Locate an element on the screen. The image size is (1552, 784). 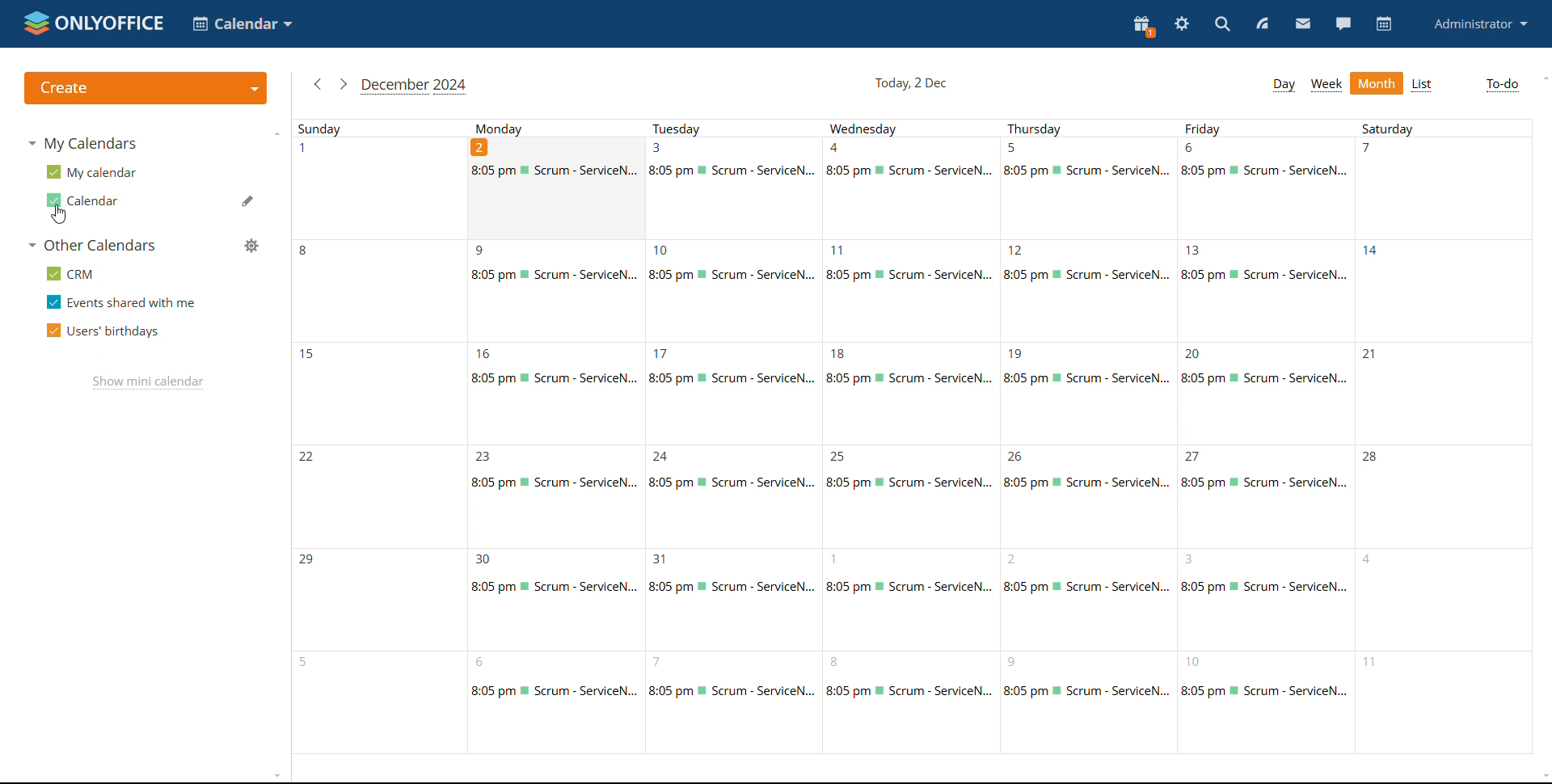
current date is located at coordinates (909, 84).